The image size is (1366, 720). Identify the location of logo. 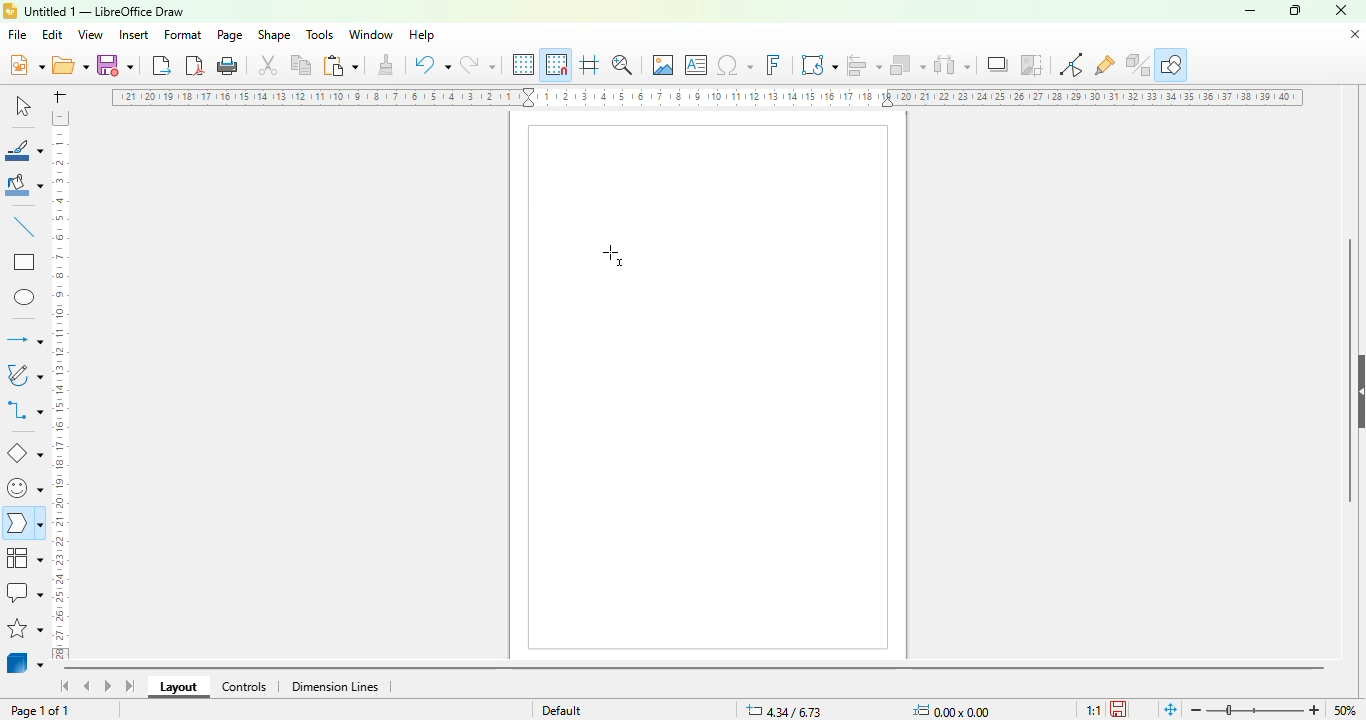
(10, 11).